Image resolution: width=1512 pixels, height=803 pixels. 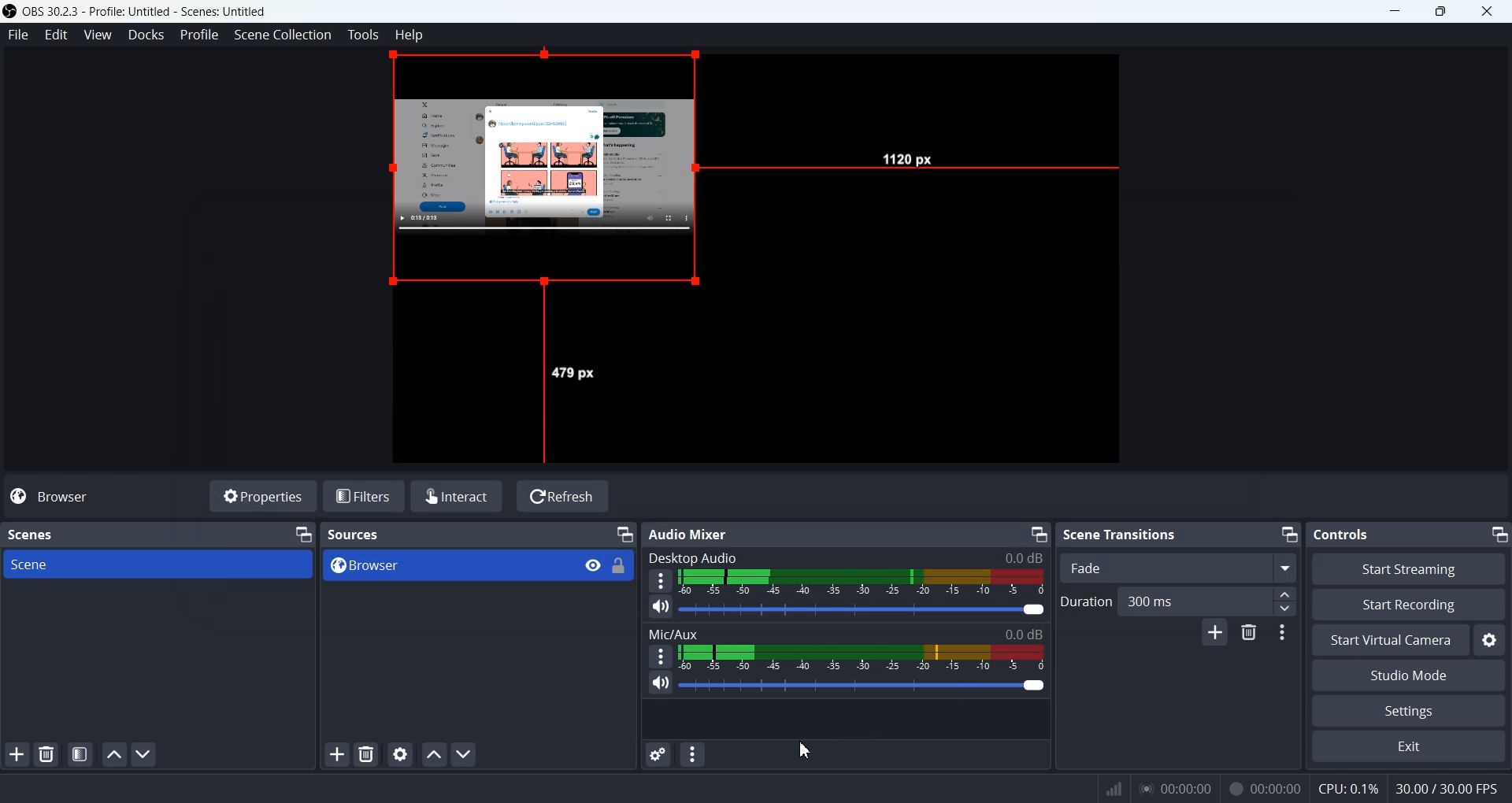 What do you see at coordinates (624, 533) in the screenshot?
I see `Minimize` at bounding box center [624, 533].